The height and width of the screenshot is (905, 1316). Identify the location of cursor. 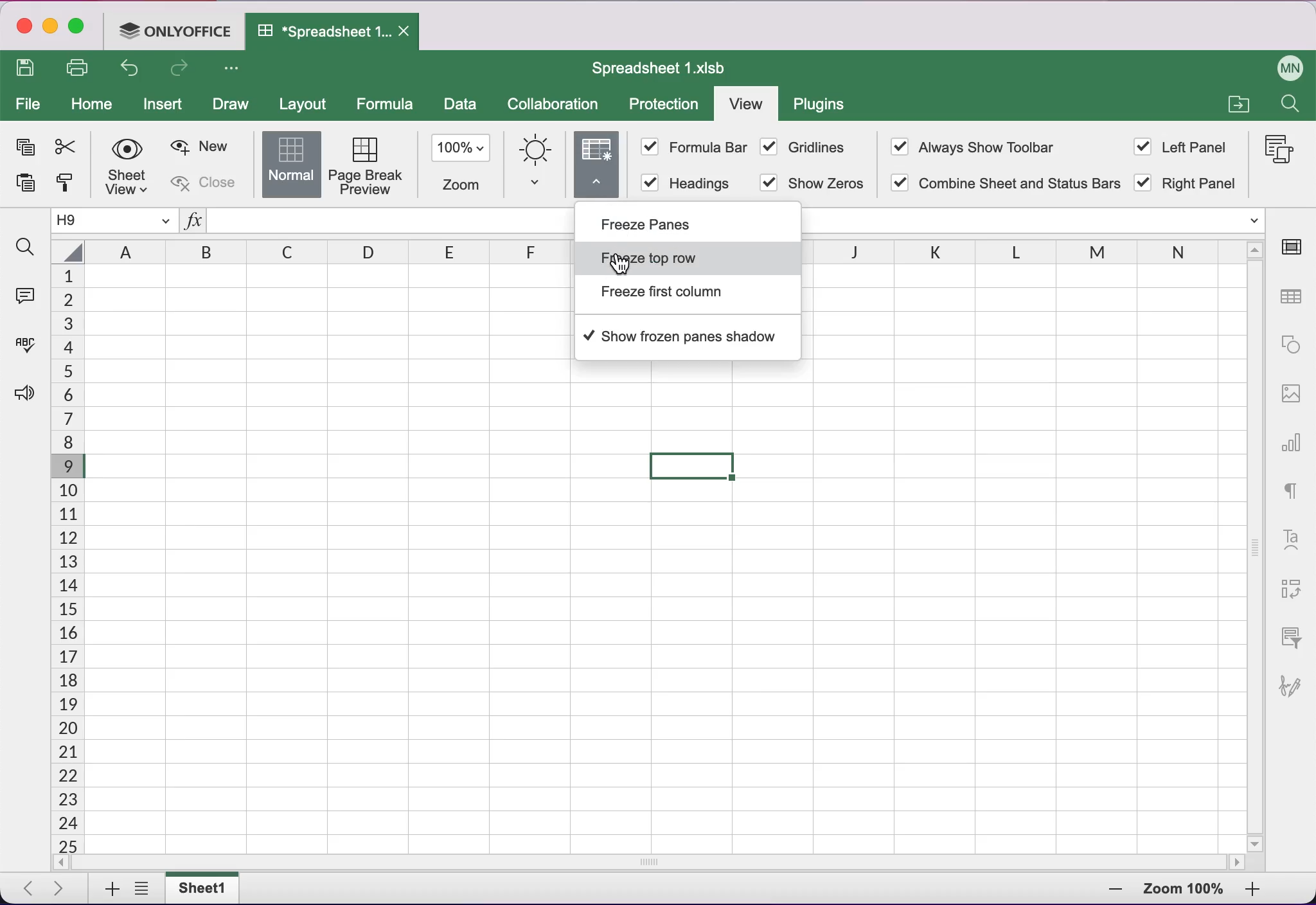
(618, 260).